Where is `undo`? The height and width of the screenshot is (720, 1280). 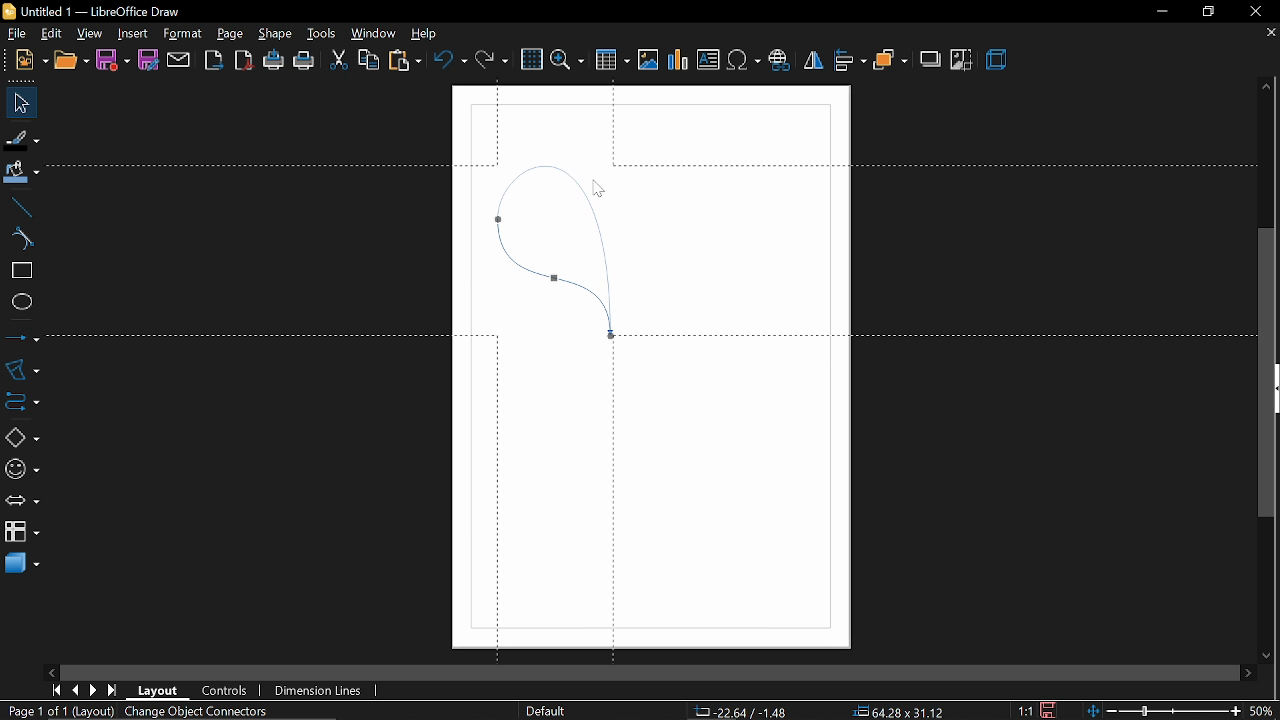
undo is located at coordinates (450, 61).